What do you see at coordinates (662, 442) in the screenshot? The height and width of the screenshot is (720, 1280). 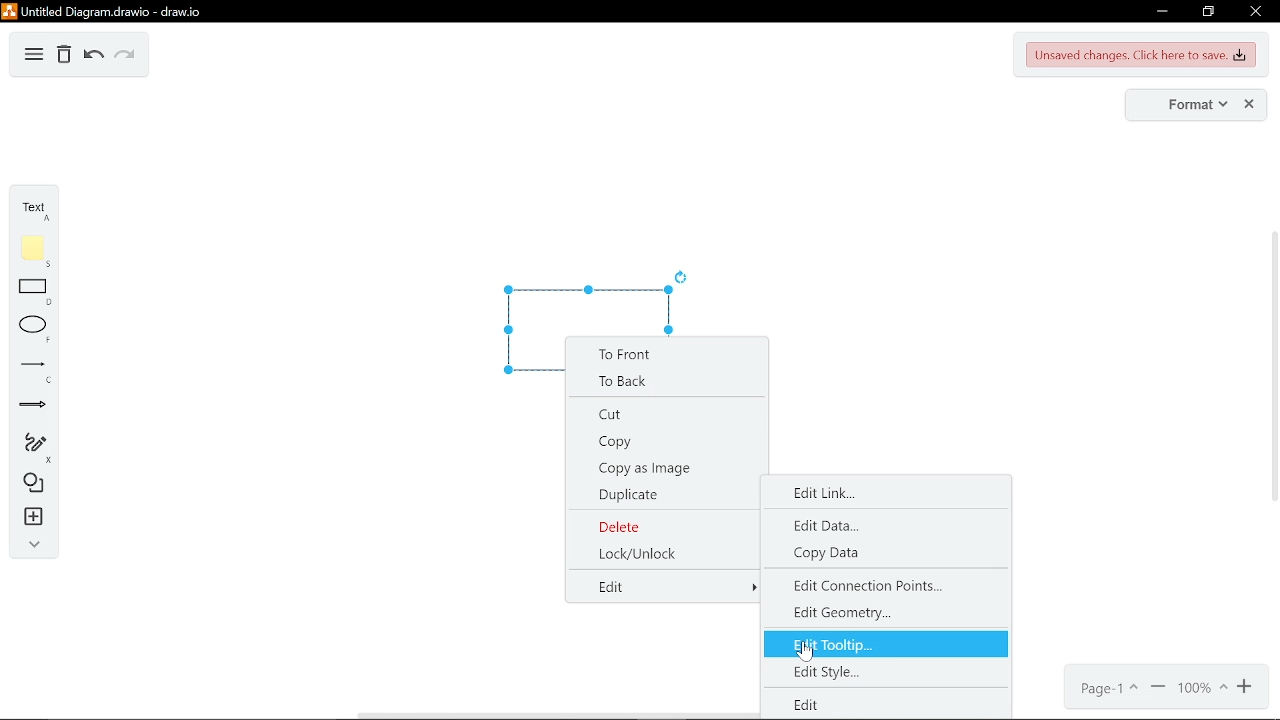 I see `copy` at bounding box center [662, 442].